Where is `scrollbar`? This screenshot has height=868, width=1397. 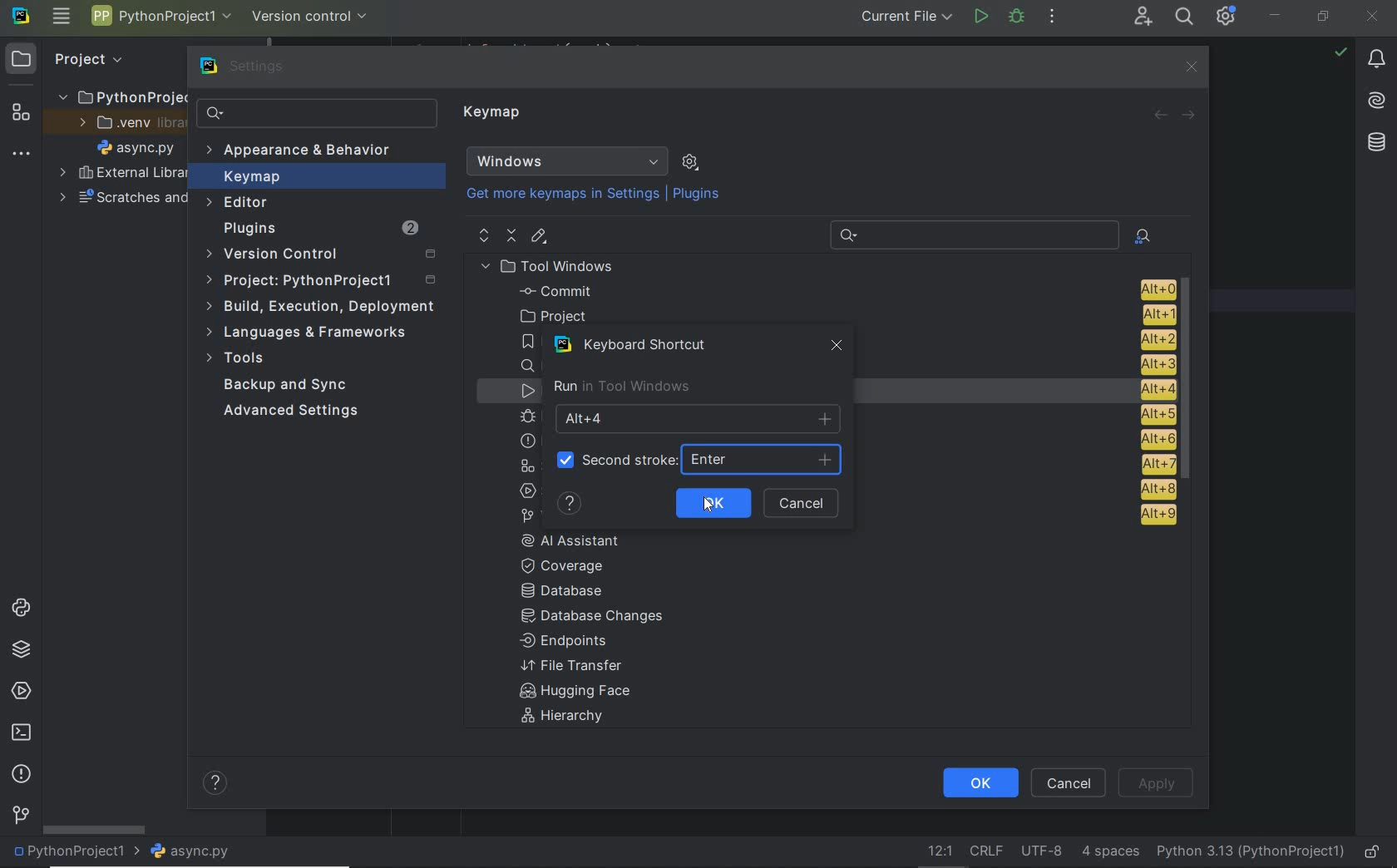
scrollbar is located at coordinates (1191, 382).